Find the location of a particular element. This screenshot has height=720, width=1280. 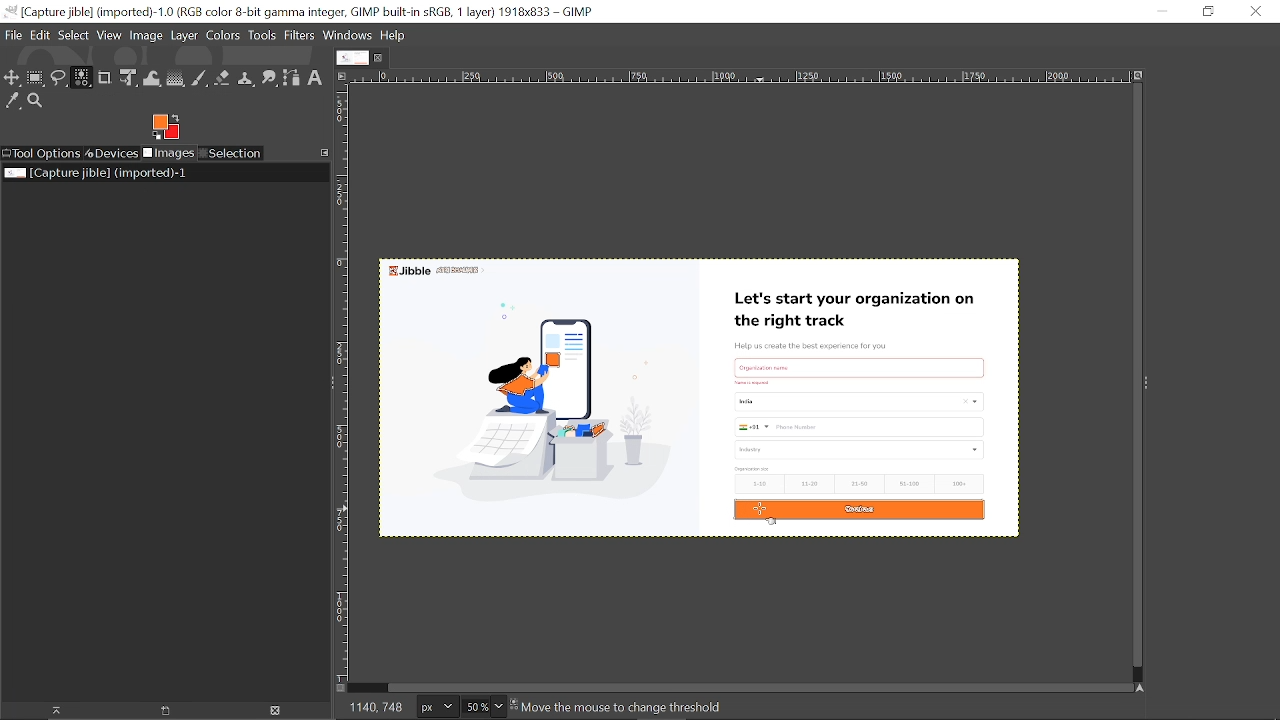

Current tab is located at coordinates (353, 58).